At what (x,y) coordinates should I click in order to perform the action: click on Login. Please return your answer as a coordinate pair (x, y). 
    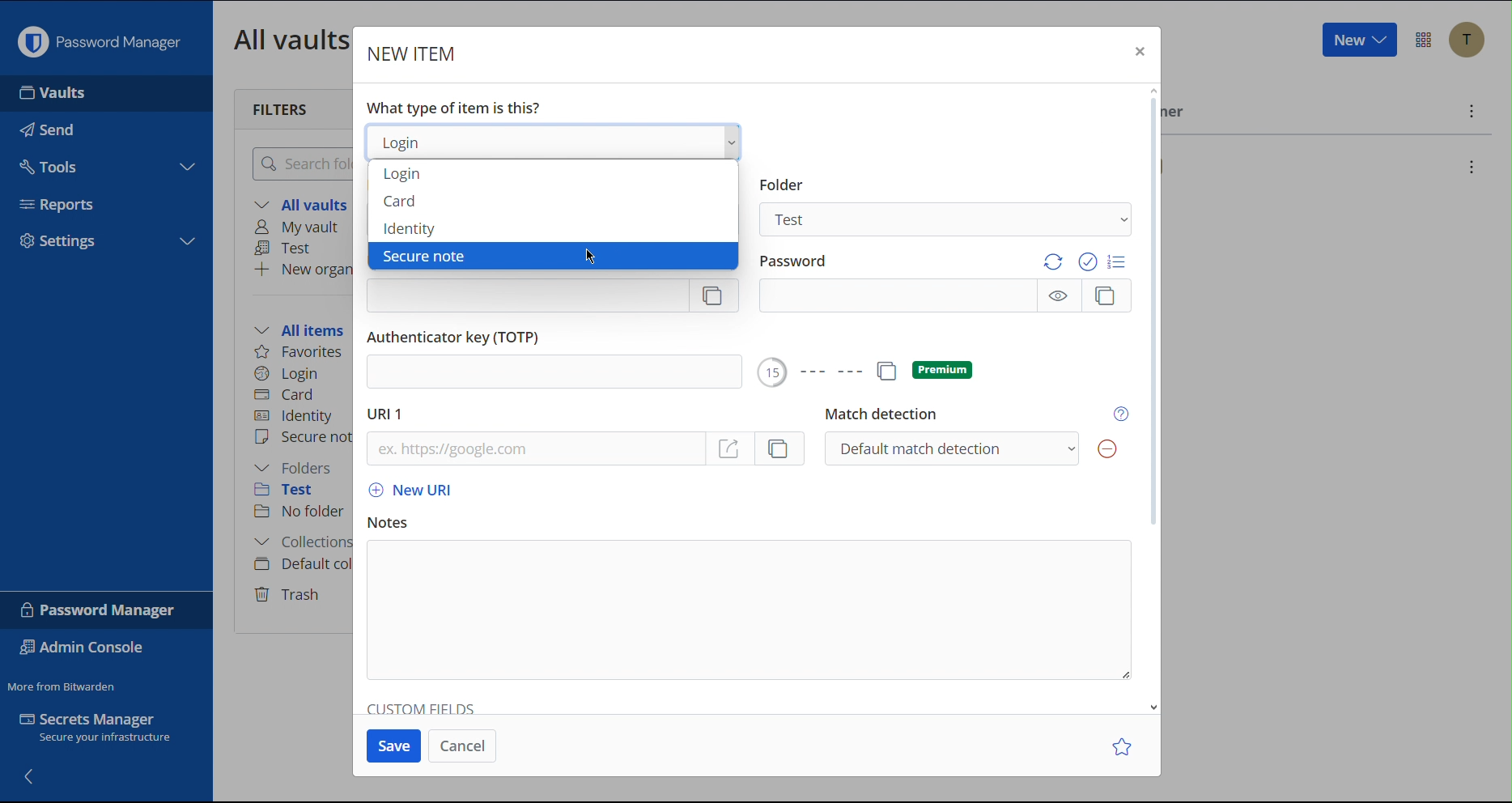
    Looking at the image, I should click on (401, 175).